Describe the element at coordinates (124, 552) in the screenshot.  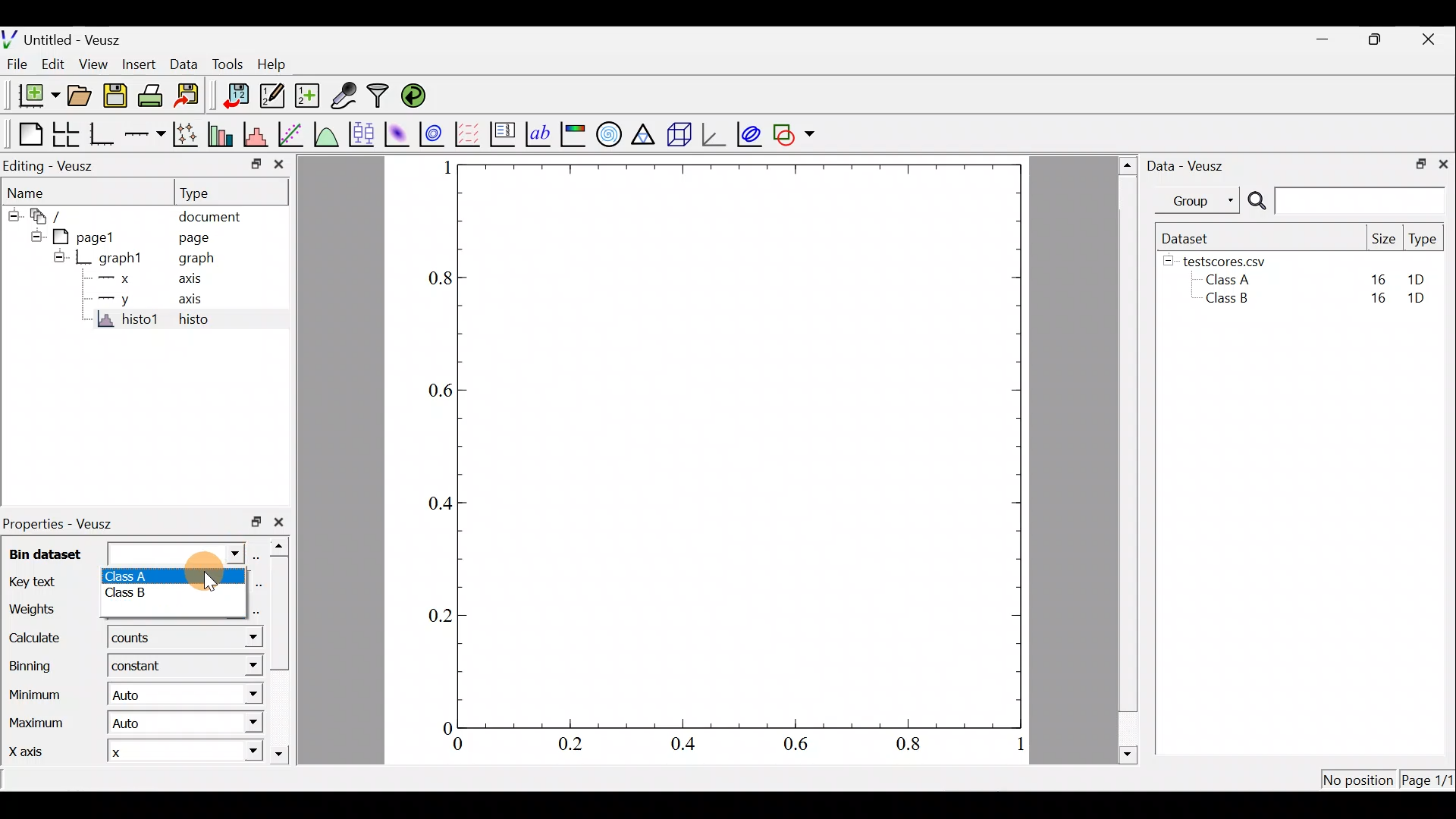
I see `Bin dataset` at that location.